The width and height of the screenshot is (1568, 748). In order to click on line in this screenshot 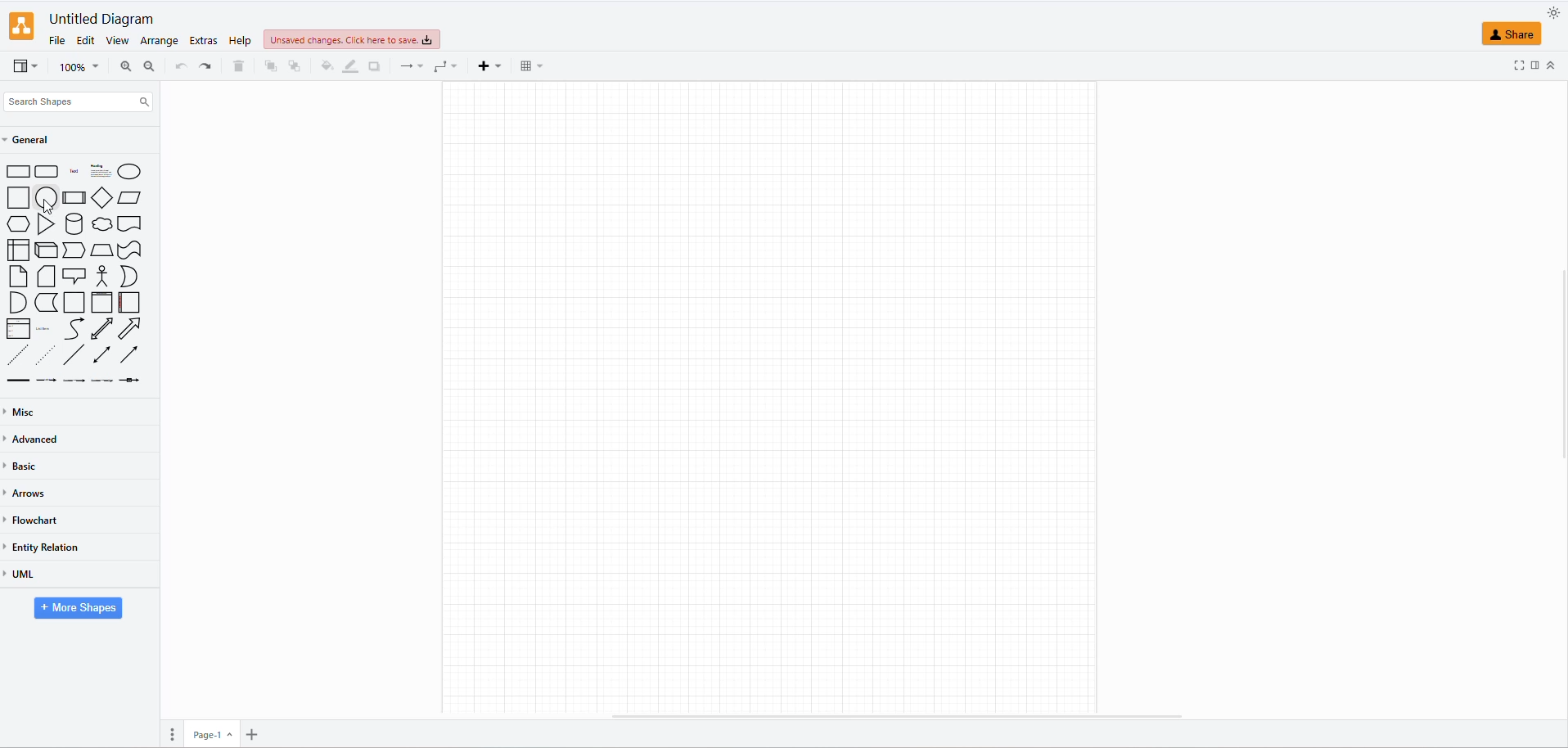, I will do `click(18, 381)`.